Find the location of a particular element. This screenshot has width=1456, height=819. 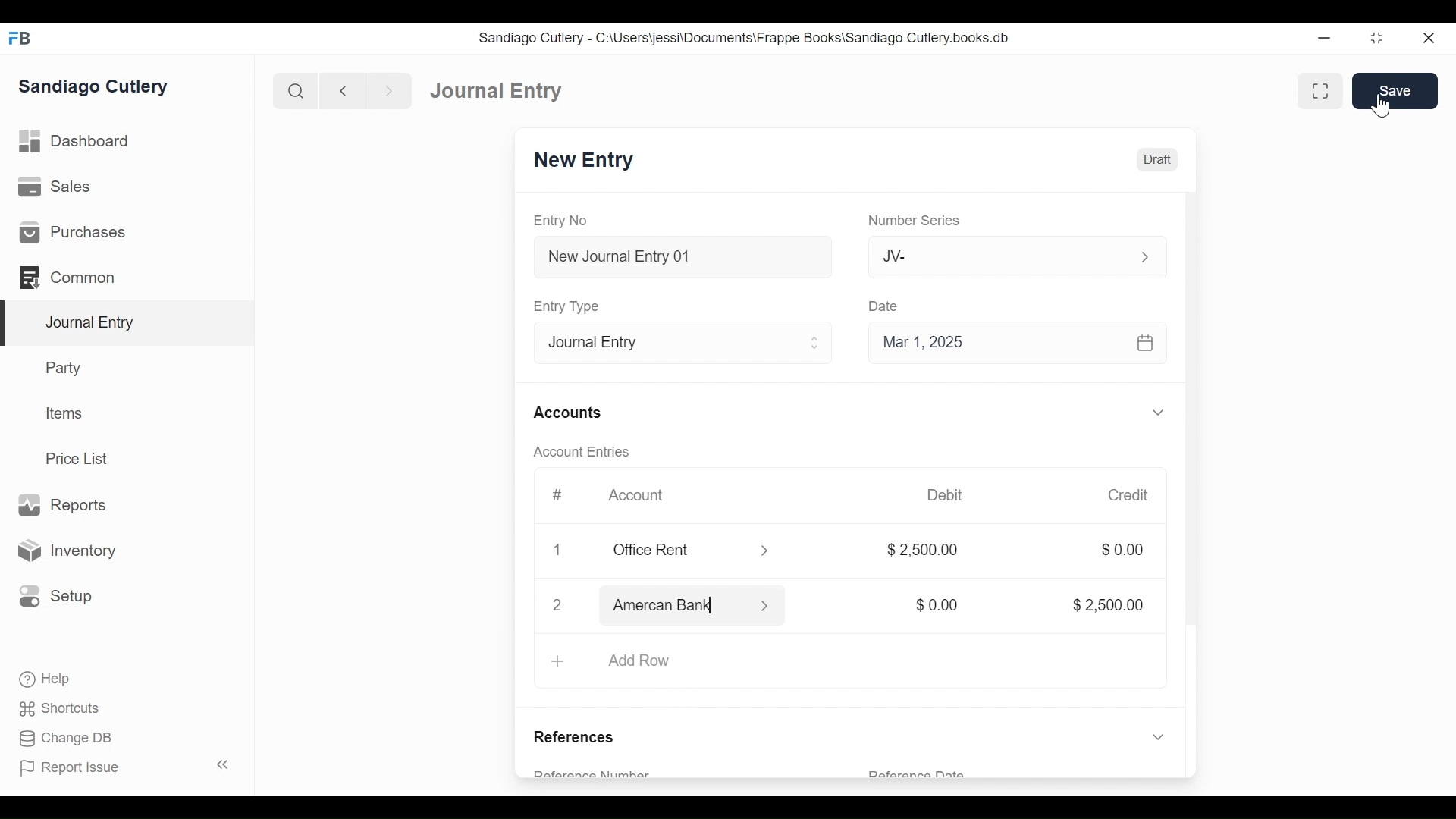

cursor is located at coordinates (1382, 104).